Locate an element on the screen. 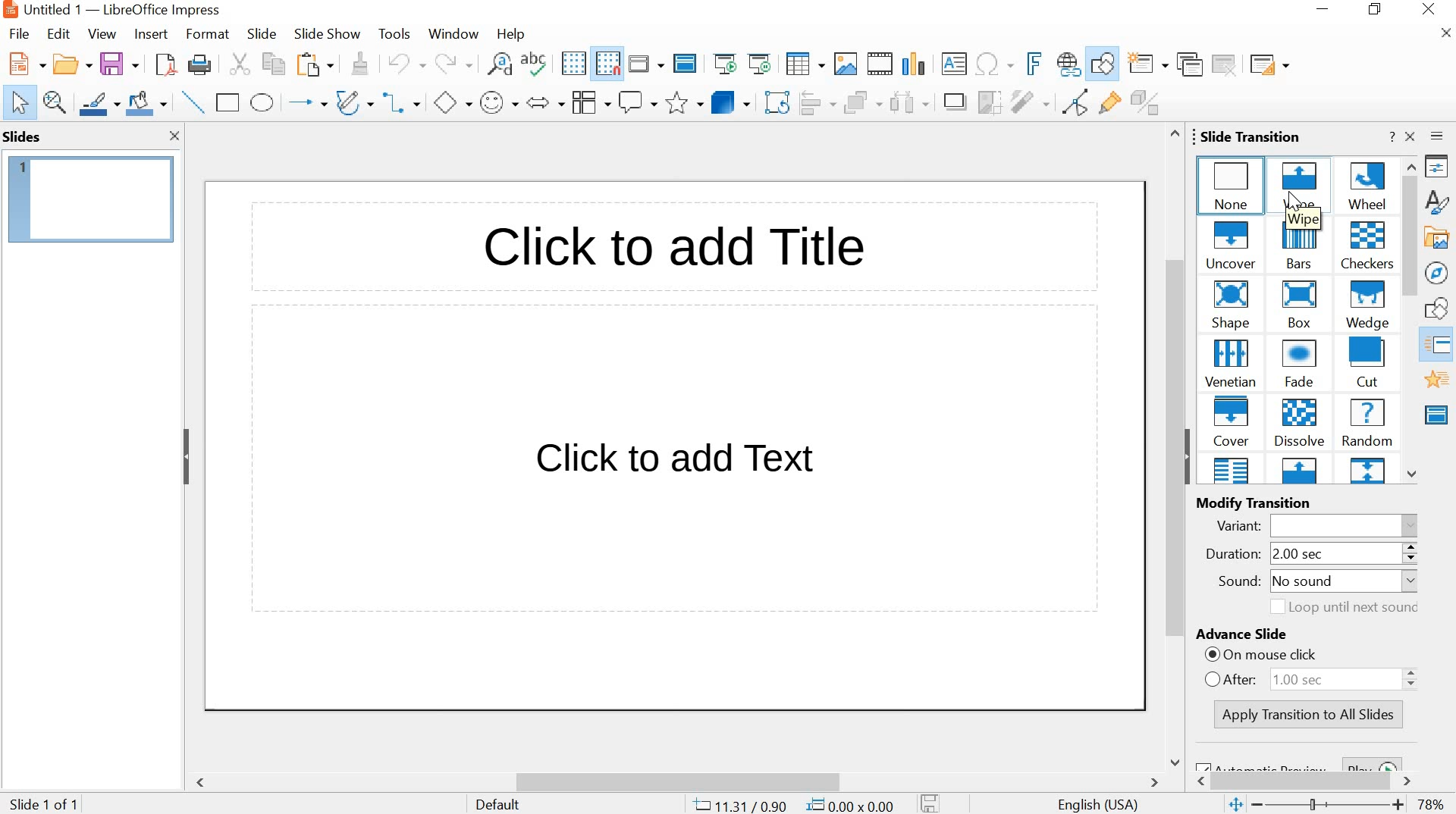 This screenshot has width=1456, height=814. 3D Objects is located at coordinates (733, 102).